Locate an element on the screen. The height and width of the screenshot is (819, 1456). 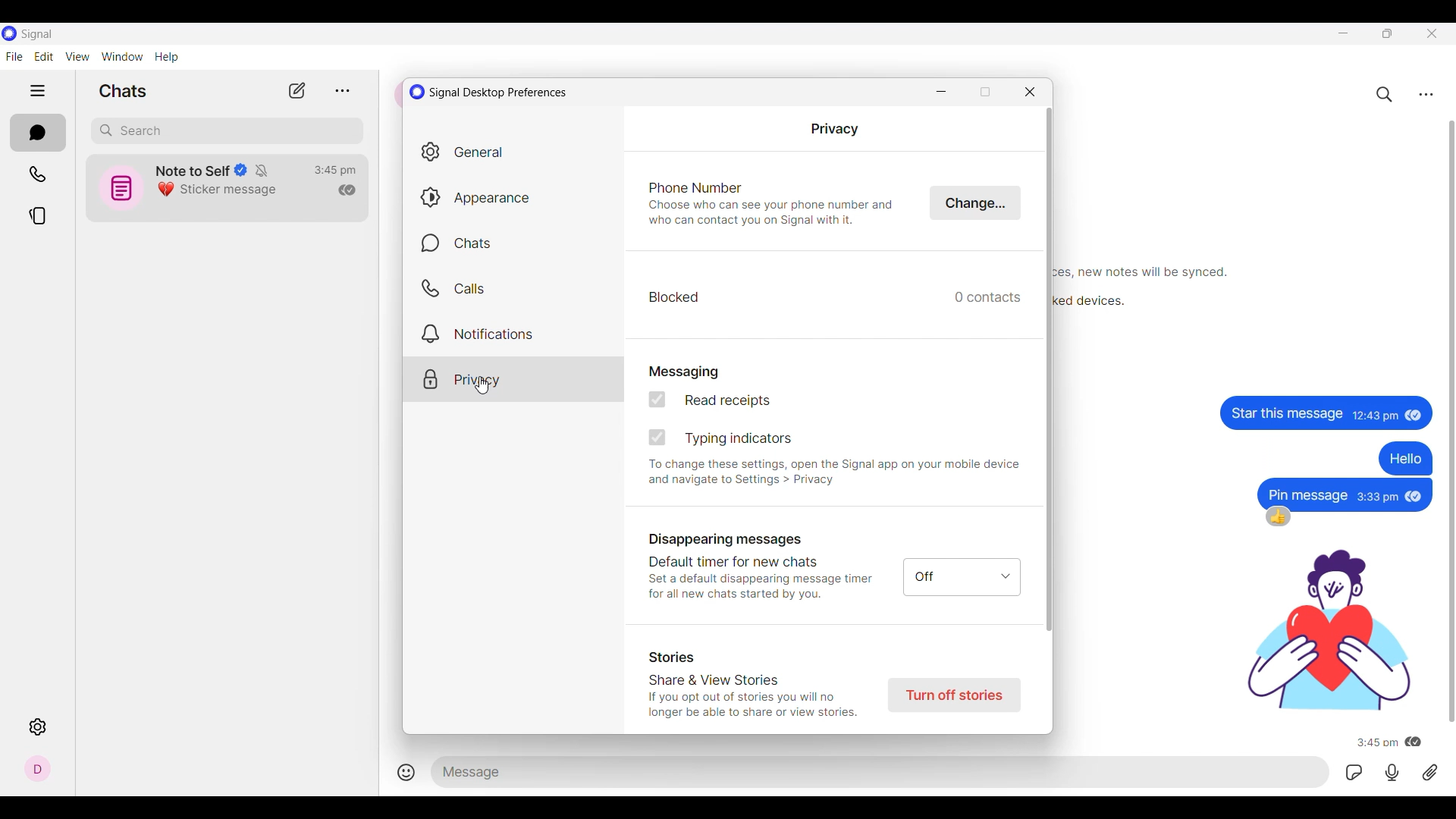
cursor is located at coordinates (485, 389).